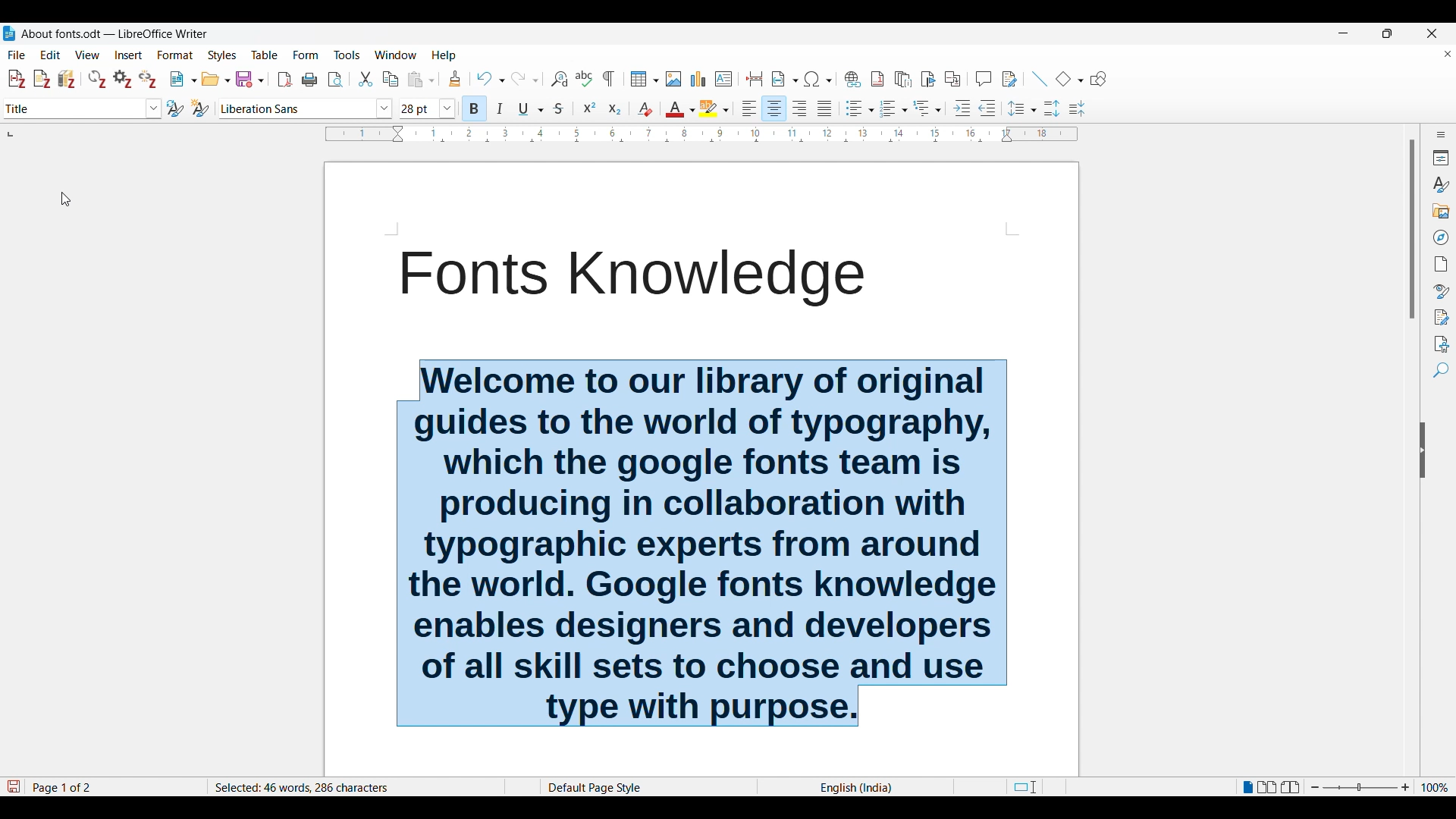 This screenshot has width=1456, height=819. What do you see at coordinates (309, 80) in the screenshot?
I see `Print` at bounding box center [309, 80].